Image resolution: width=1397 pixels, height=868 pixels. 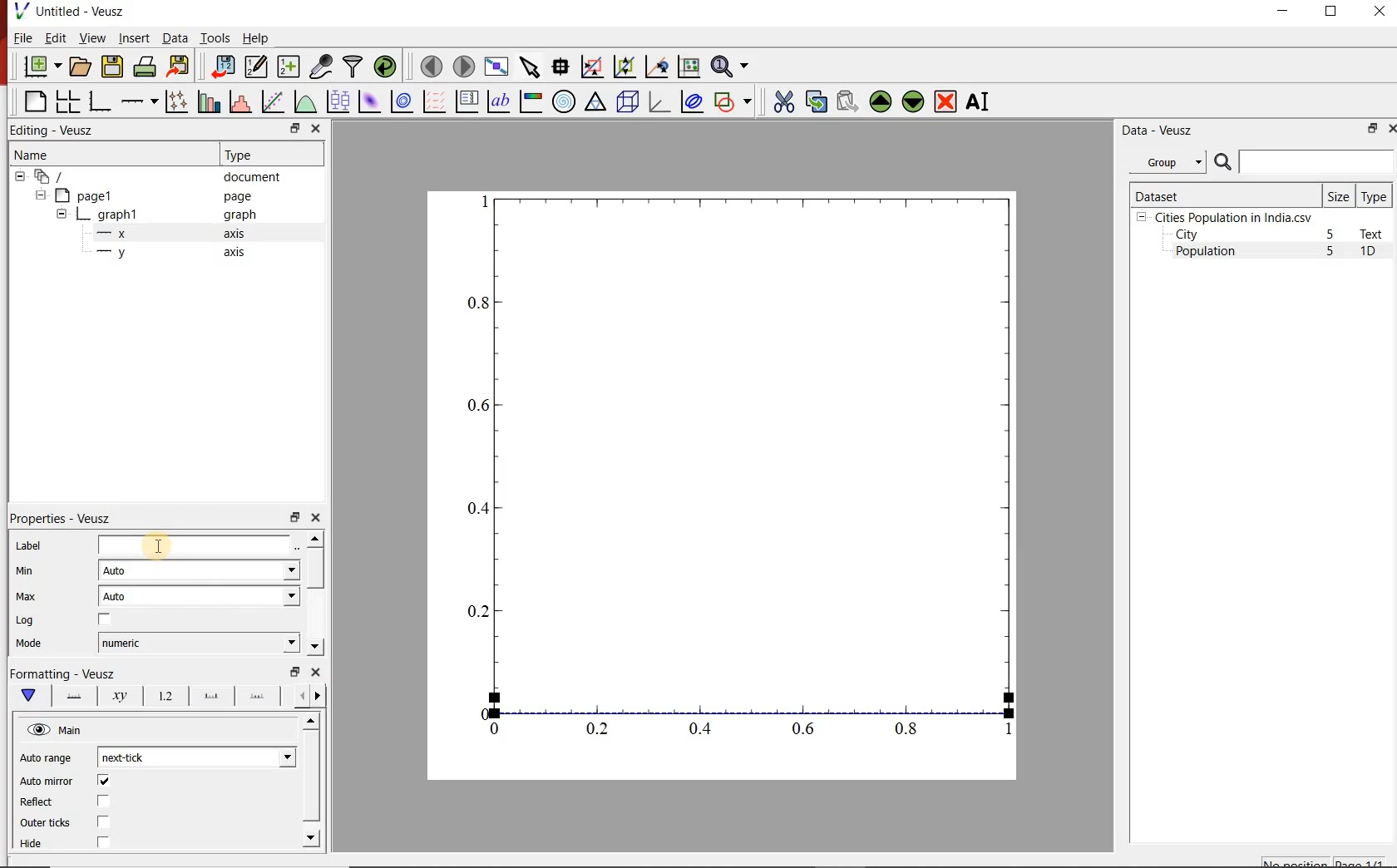 I want to click on plot box plots, so click(x=337, y=101).